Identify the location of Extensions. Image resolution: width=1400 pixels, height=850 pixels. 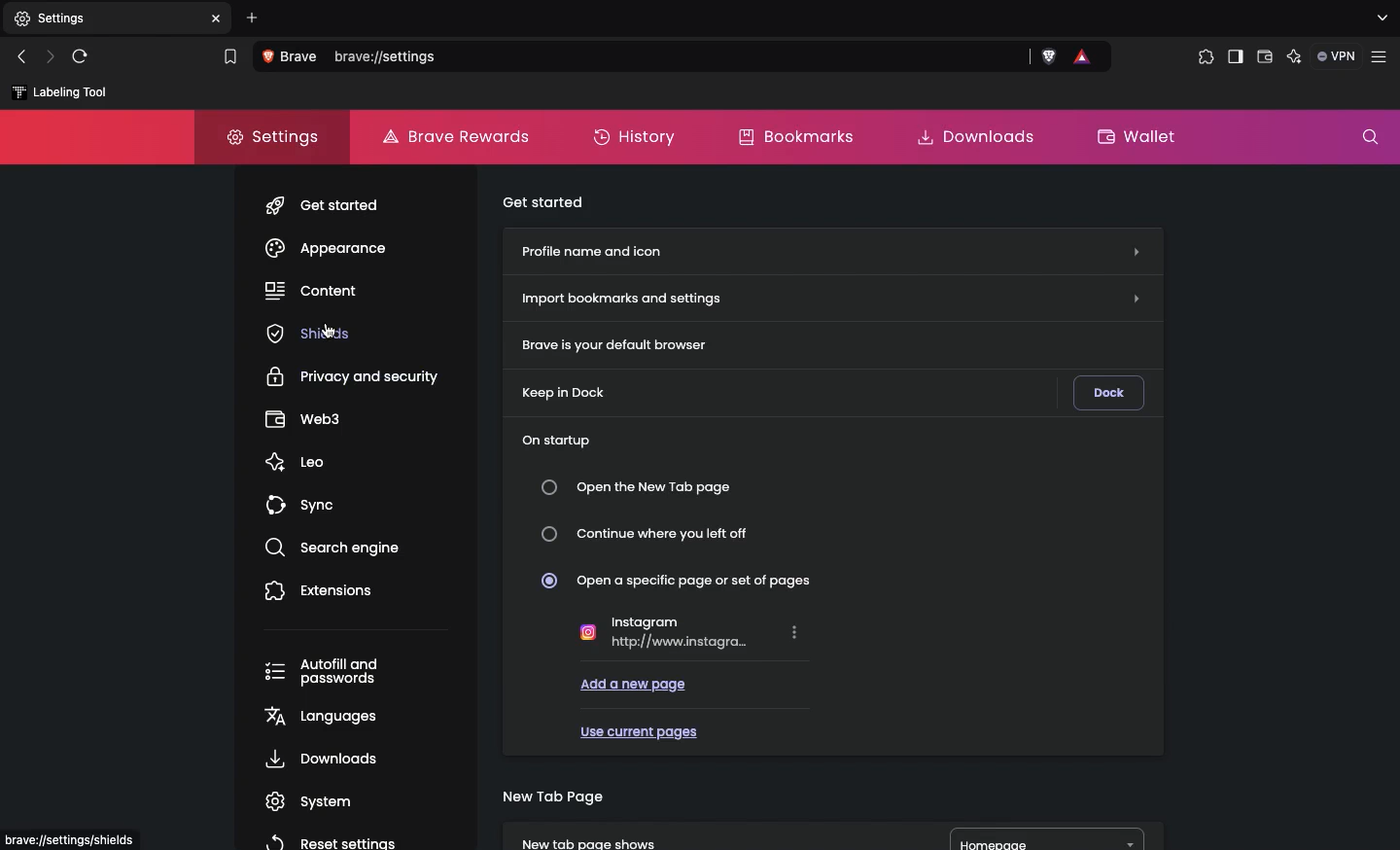
(323, 590).